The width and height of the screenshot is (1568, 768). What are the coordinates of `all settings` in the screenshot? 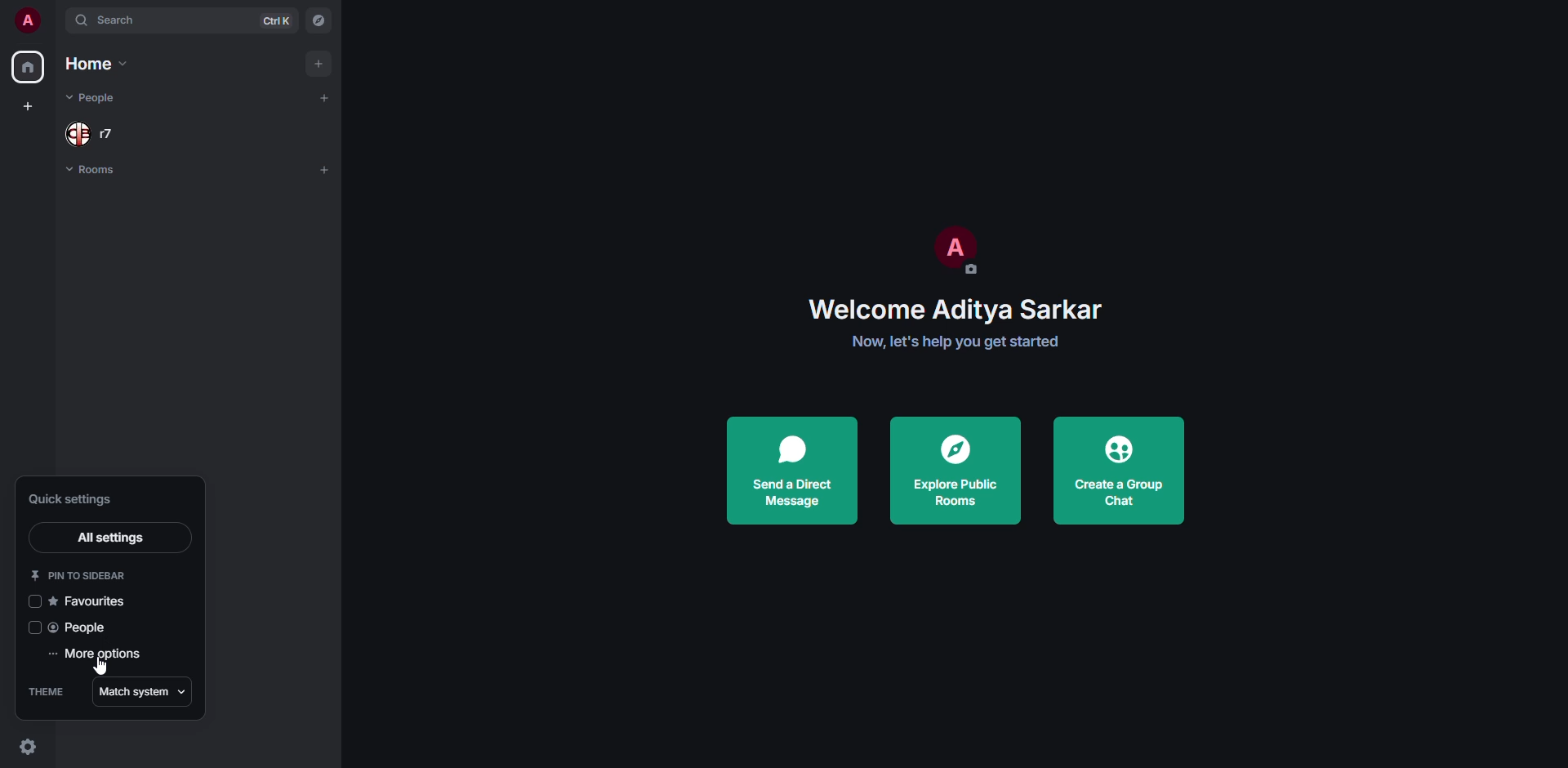 It's located at (109, 538).